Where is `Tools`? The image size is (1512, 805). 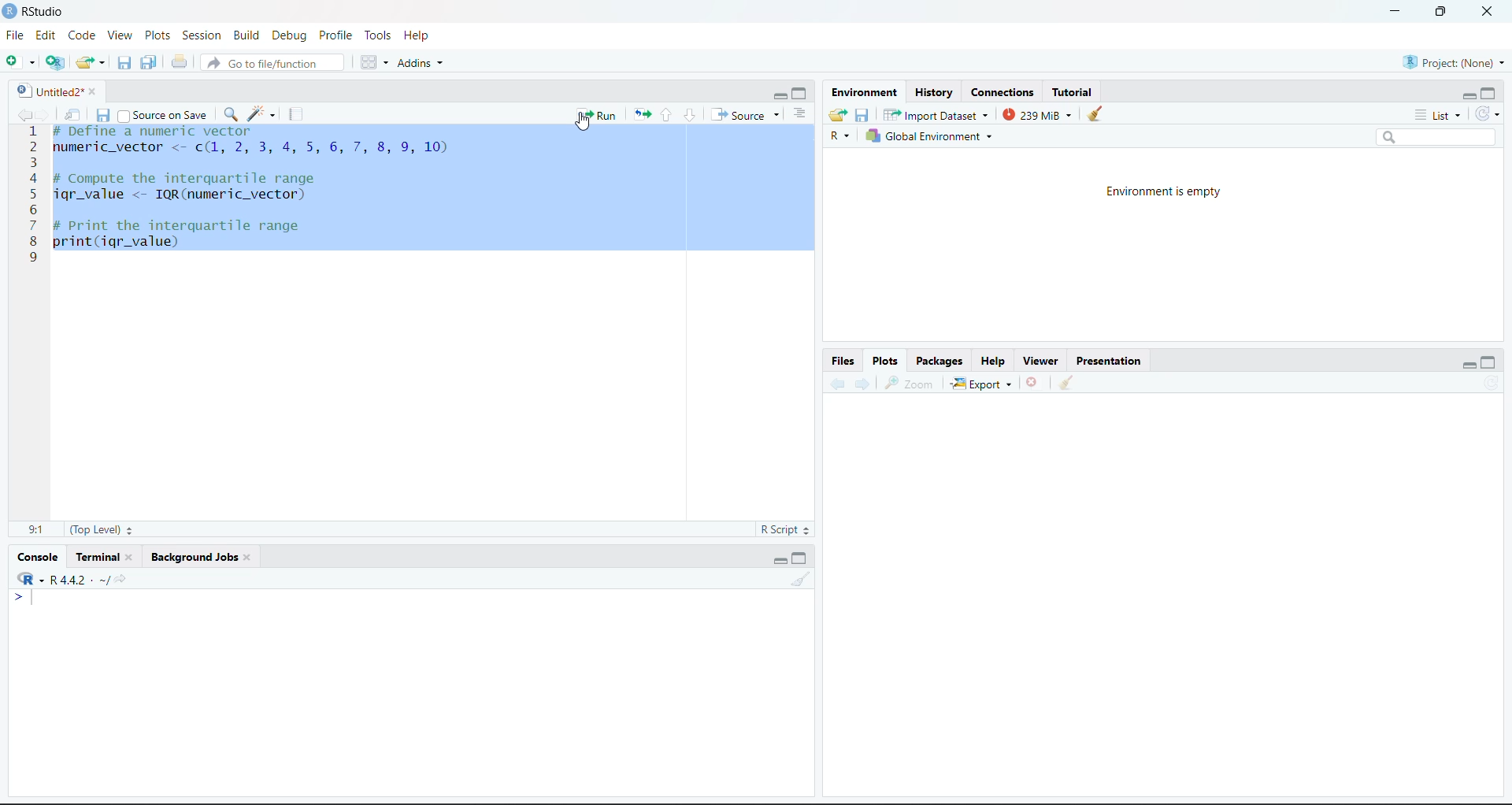
Tools is located at coordinates (377, 35).